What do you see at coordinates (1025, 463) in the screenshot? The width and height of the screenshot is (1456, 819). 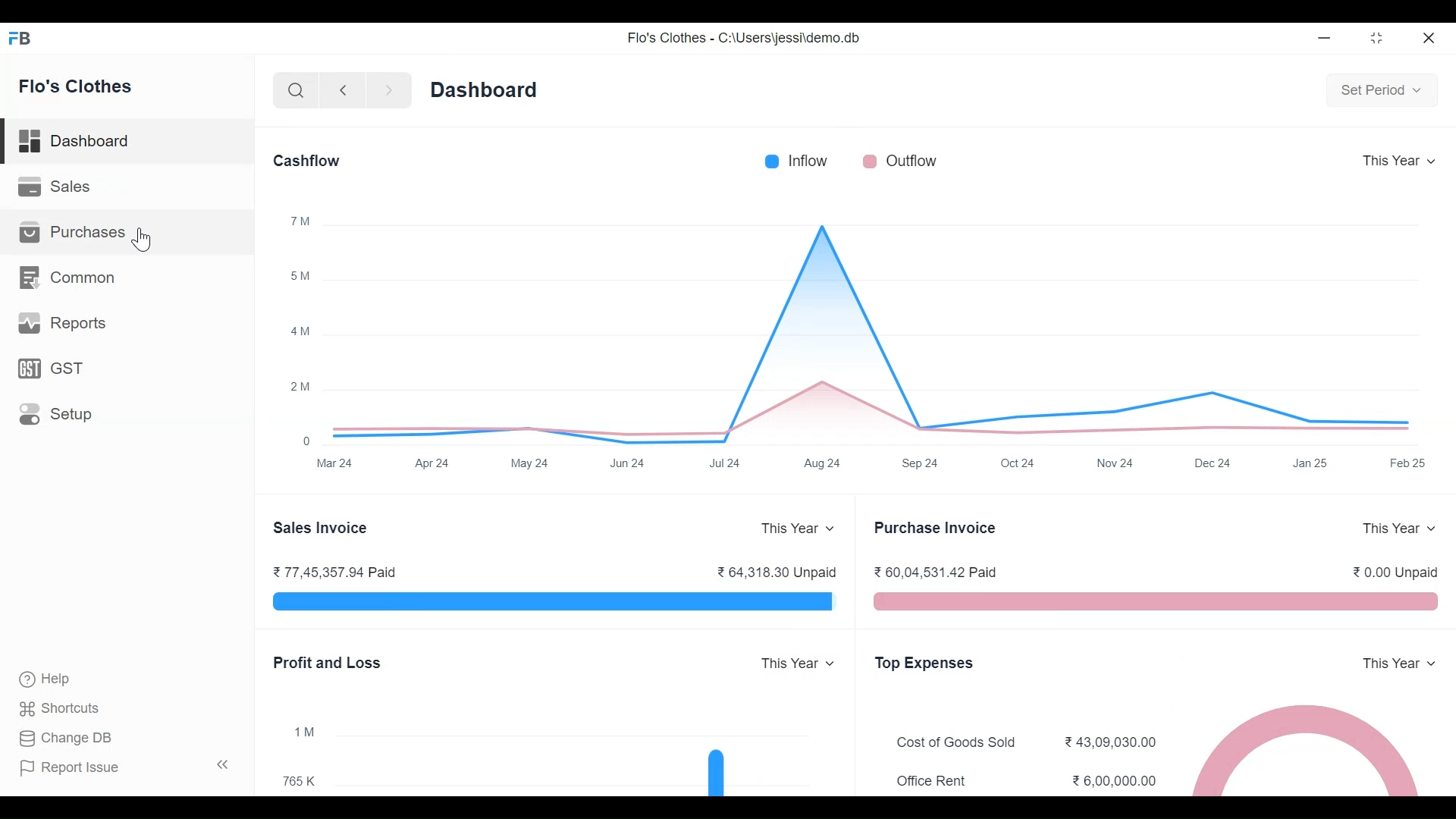 I see `Oct 24` at bounding box center [1025, 463].